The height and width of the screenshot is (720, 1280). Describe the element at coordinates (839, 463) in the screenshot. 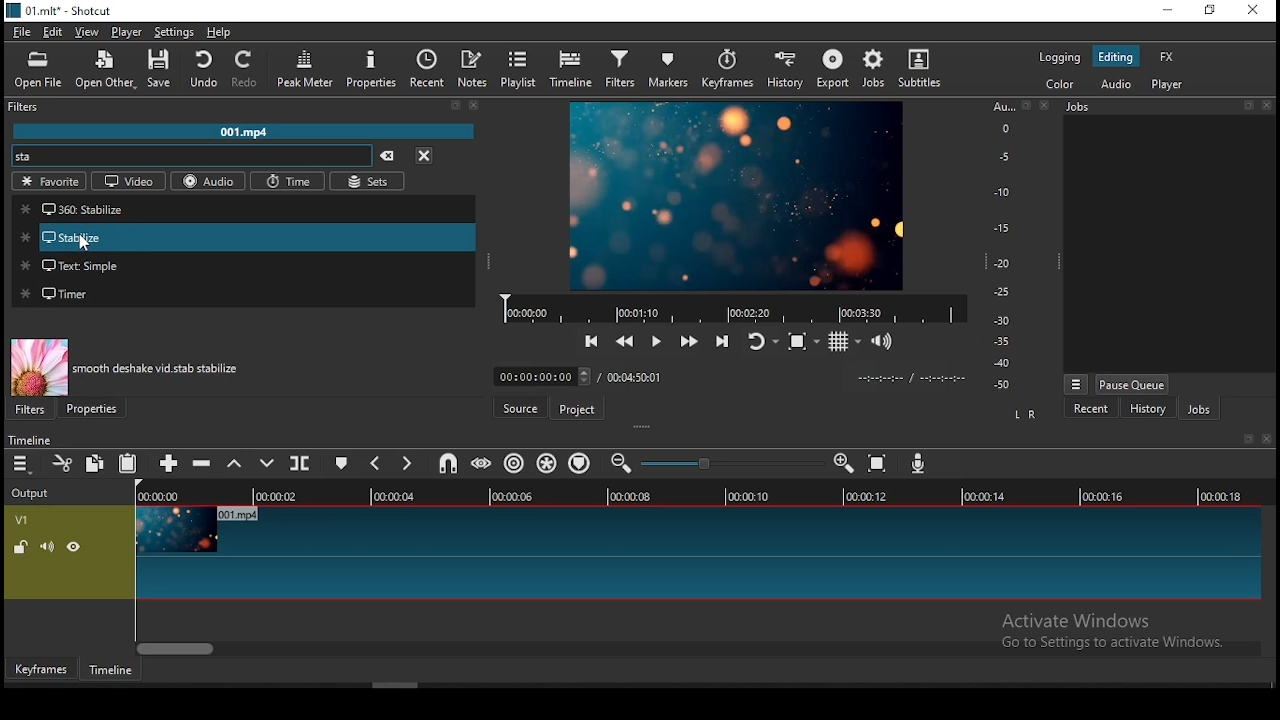

I see `zoom timeline` at that location.